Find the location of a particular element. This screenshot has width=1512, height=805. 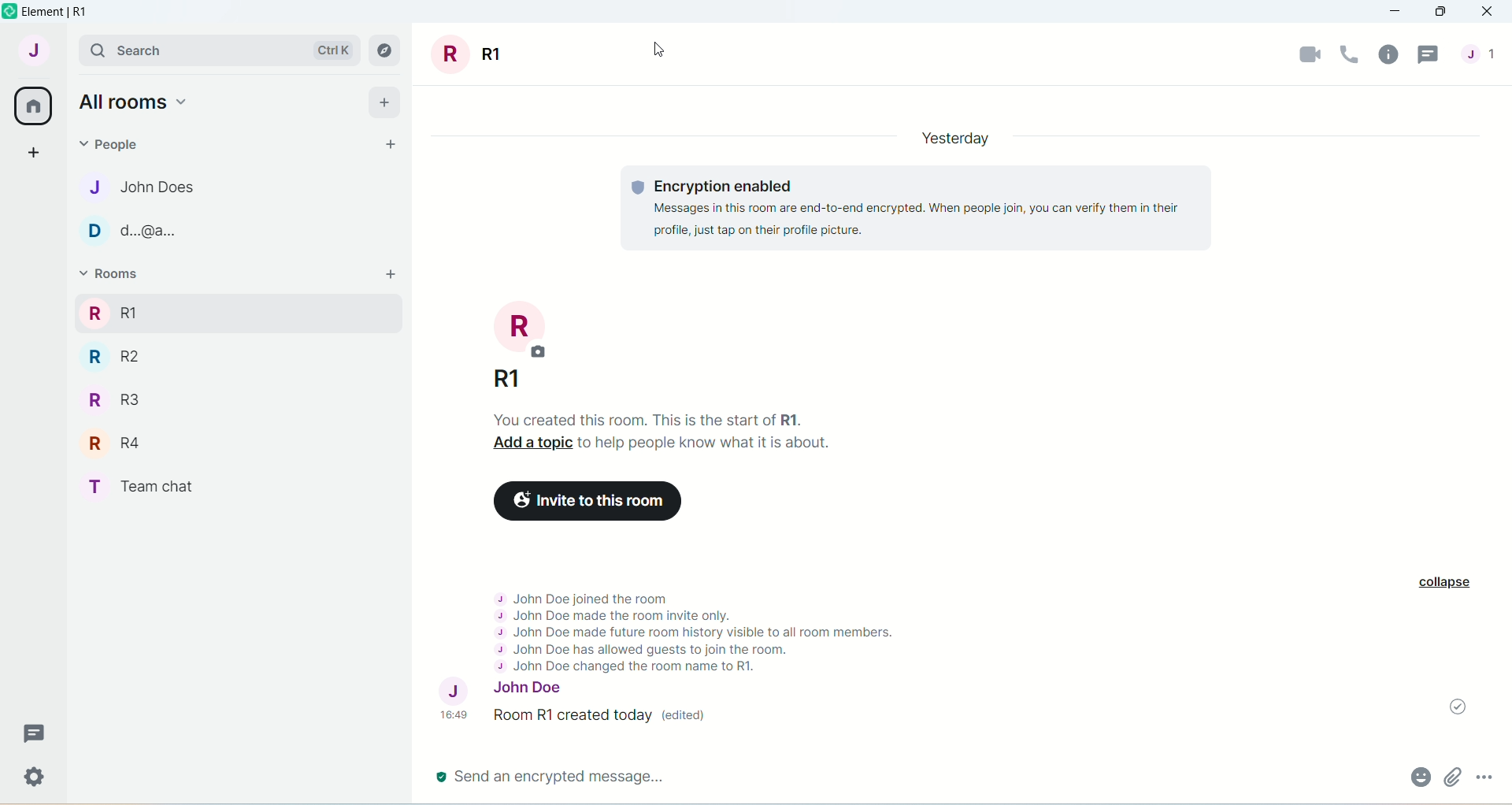

attachments is located at coordinates (1453, 780).